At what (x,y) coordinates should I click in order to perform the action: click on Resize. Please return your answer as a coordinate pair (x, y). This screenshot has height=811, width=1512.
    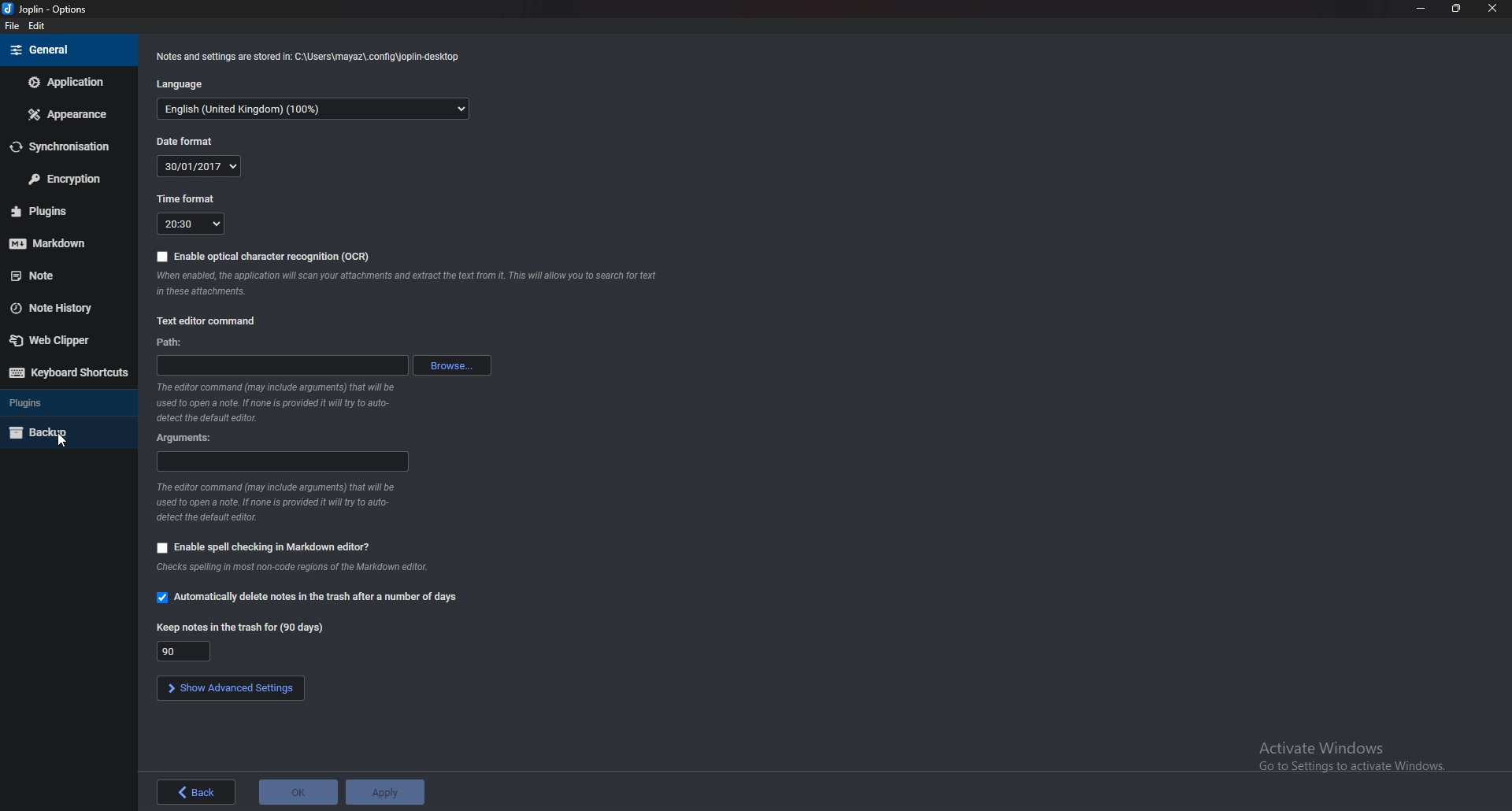
    Looking at the image, I should click on (1458, 9).